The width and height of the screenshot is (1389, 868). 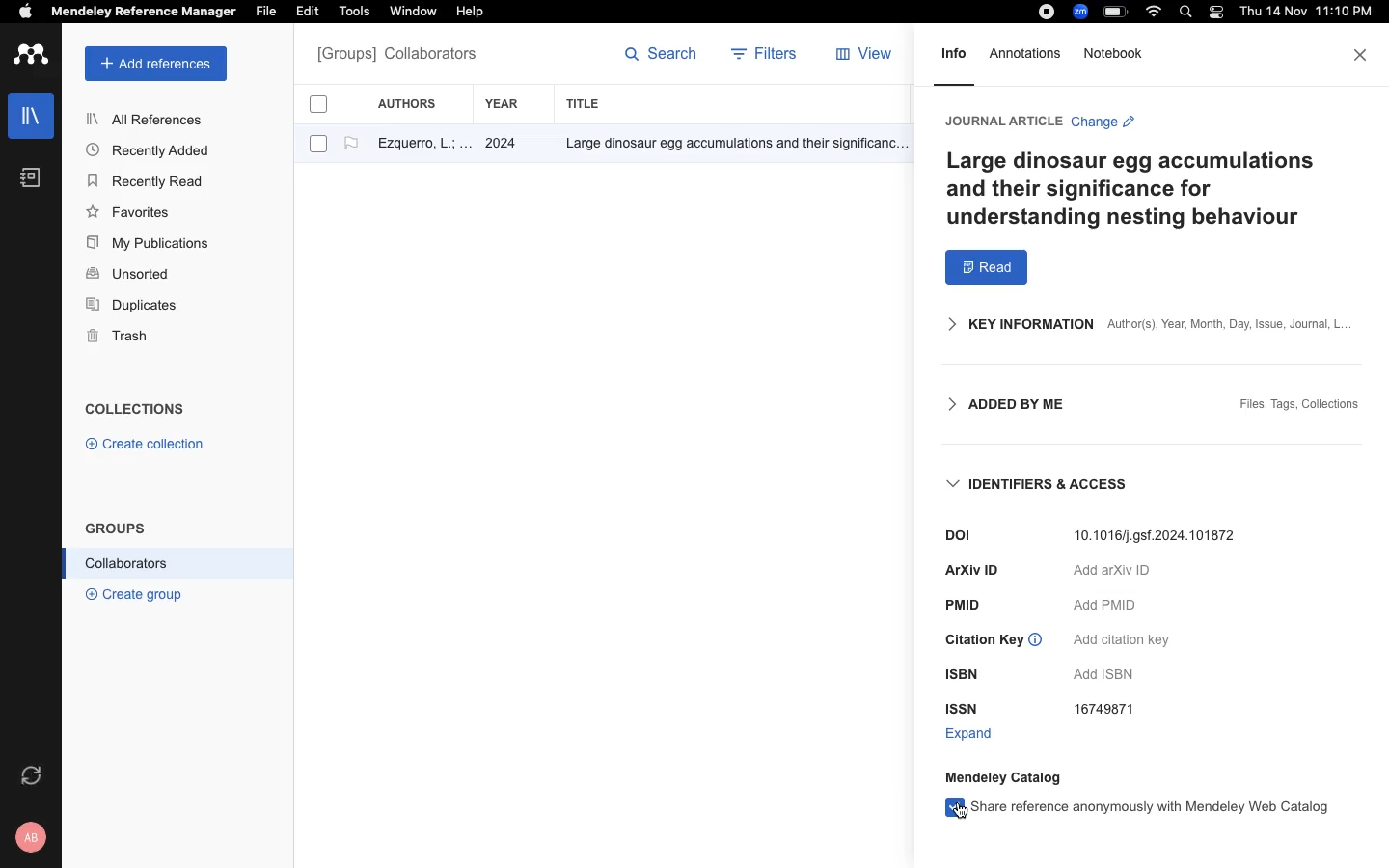 I want to click on Edit, so click(x=311, y=13).